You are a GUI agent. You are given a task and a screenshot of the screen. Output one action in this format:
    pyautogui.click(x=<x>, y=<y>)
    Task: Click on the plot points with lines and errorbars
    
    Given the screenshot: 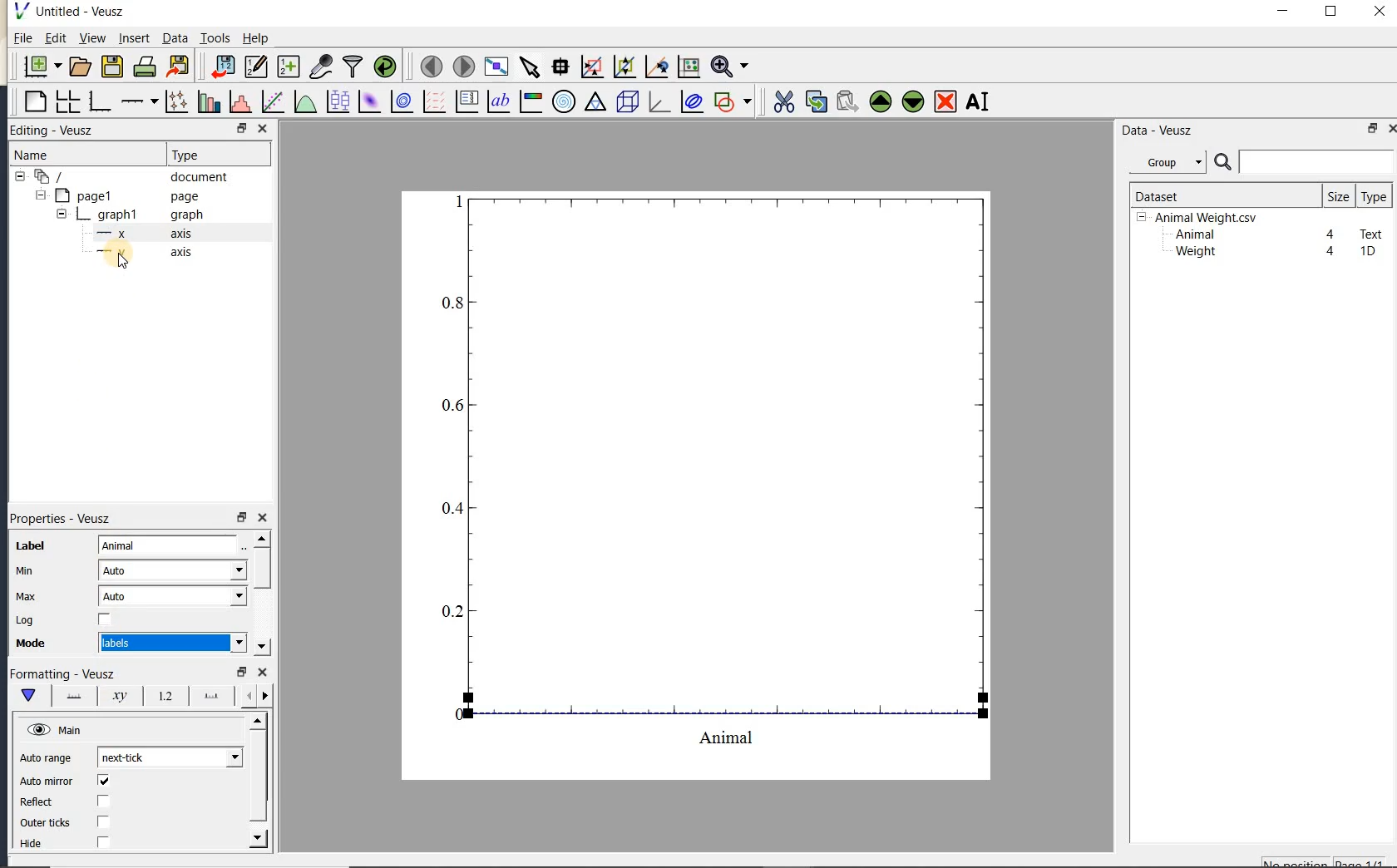 What is the action you would take?
    pyautogui.click(x=178, y=101)
    